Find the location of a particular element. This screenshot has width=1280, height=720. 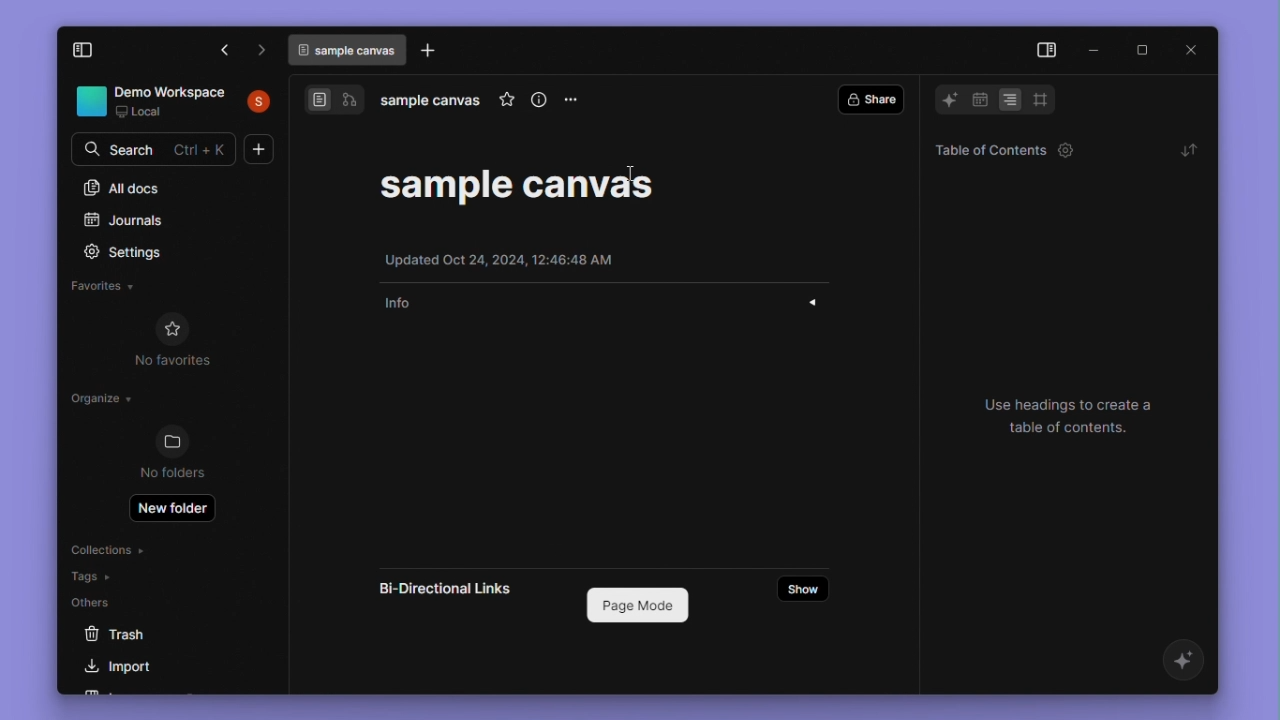

file name is located at coordinates (432, 102).